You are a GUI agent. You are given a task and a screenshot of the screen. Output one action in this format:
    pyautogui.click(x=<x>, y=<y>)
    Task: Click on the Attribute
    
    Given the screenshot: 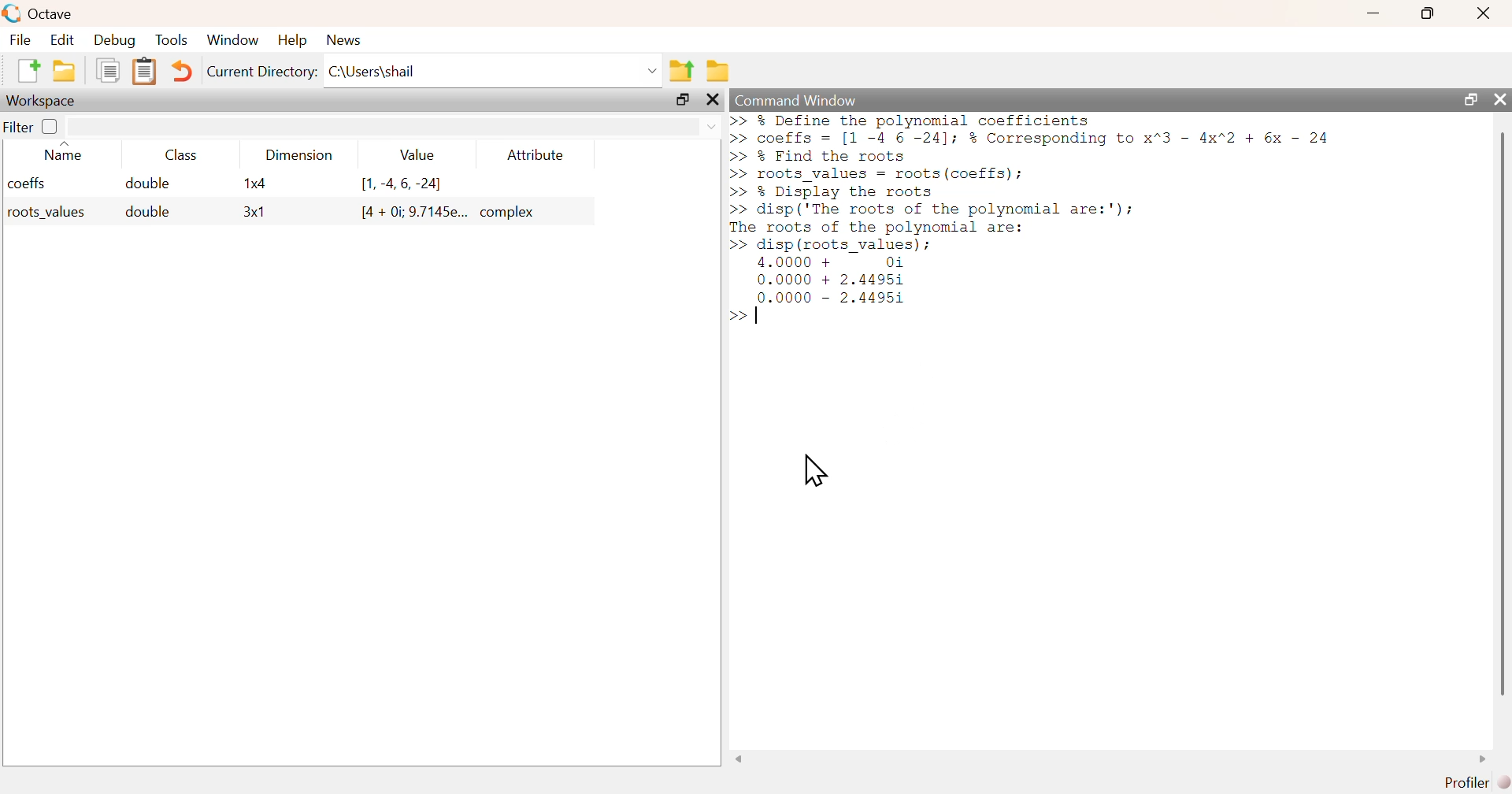 What is the action you would take?
    pyautogui.click(x=536, y=154)
    